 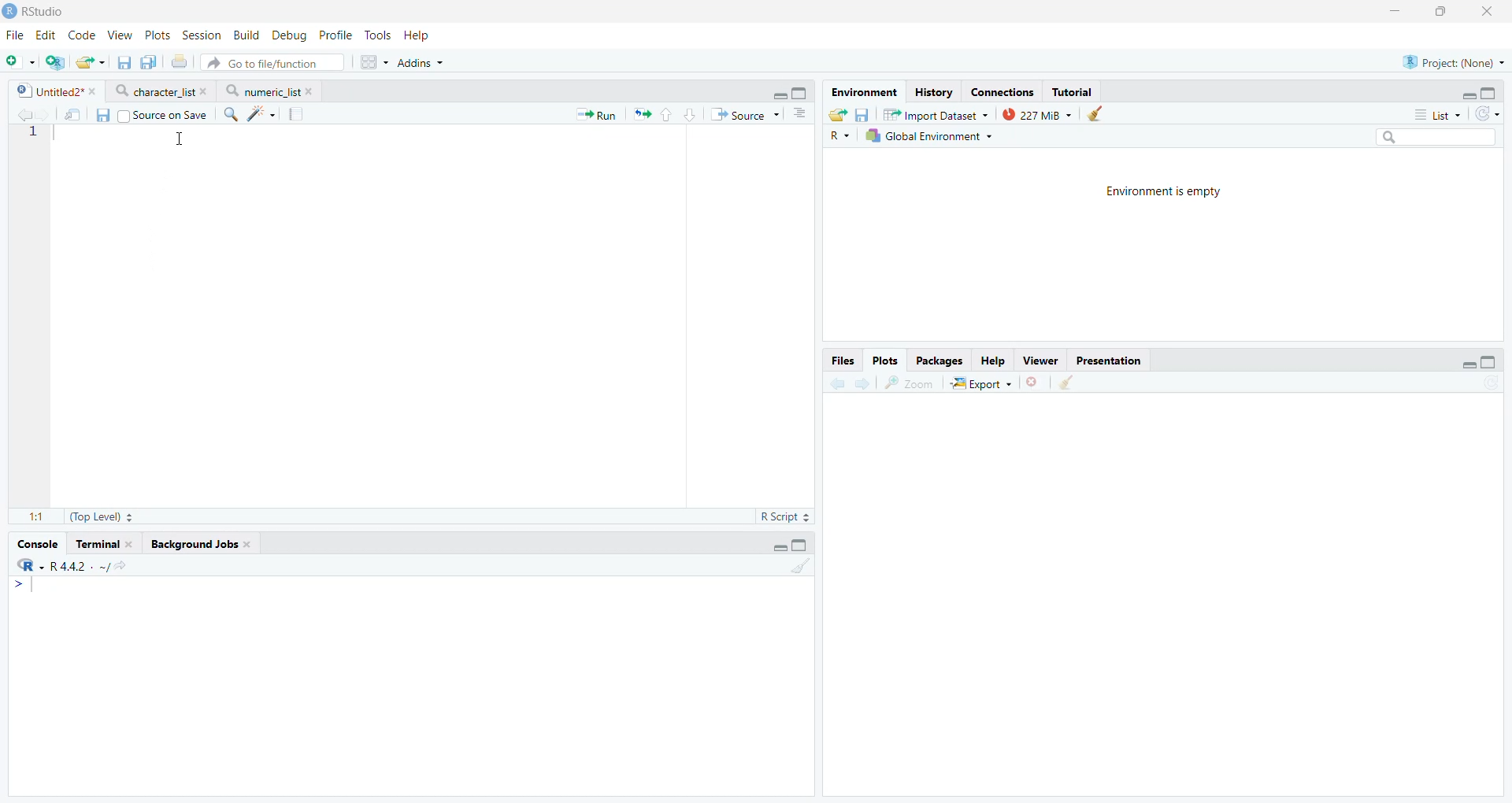 What do you see at coordinates (778, 547) in the screenshot?
I see `Hide` at bounding box center [778, 547].